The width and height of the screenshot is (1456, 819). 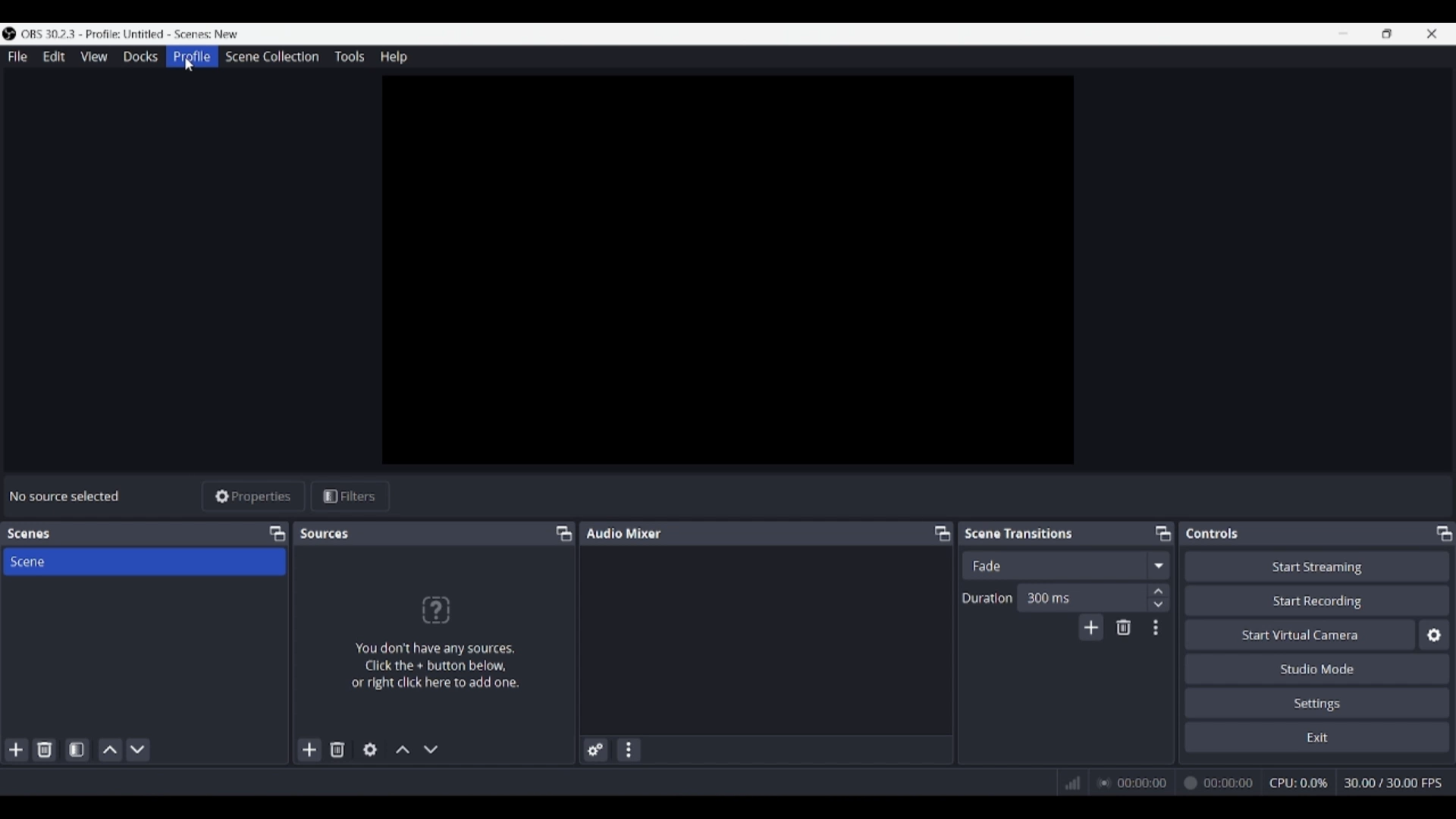 I want to click on Panel title, so click(x=326, y=533).